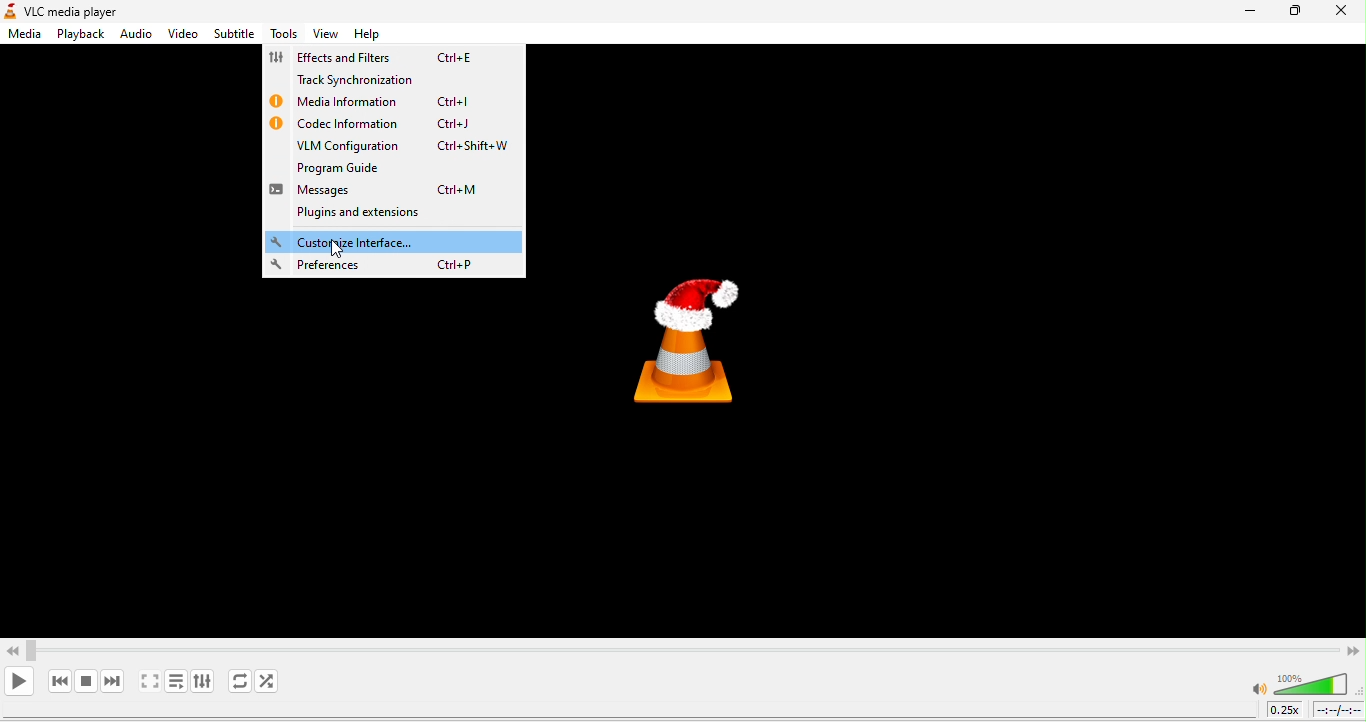  What do you see at coordinates (58, 681) in the screenshot?
I see `previous media` at bounding box center [58, 681].